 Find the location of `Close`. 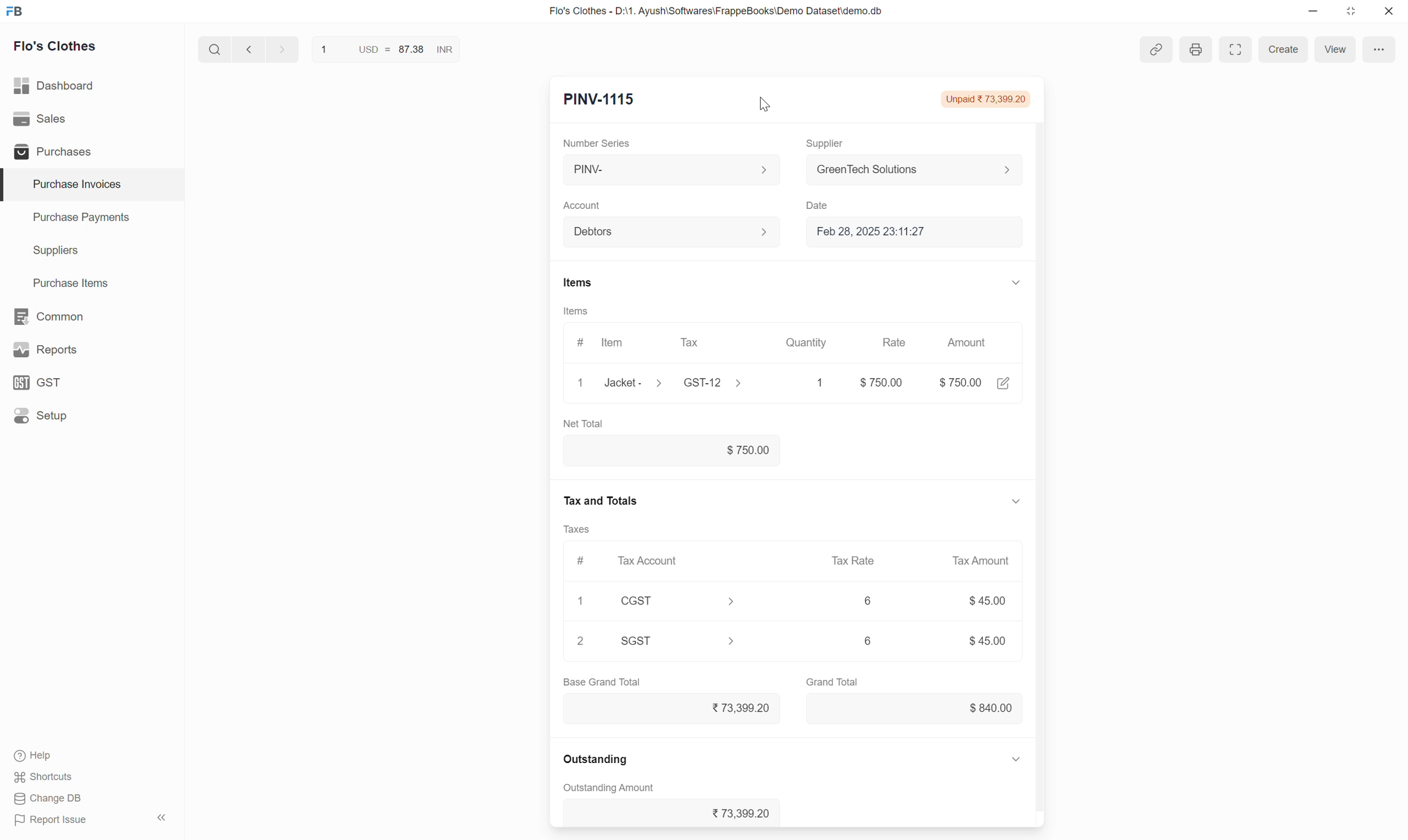

Close is located at coordinates (1389, 11).